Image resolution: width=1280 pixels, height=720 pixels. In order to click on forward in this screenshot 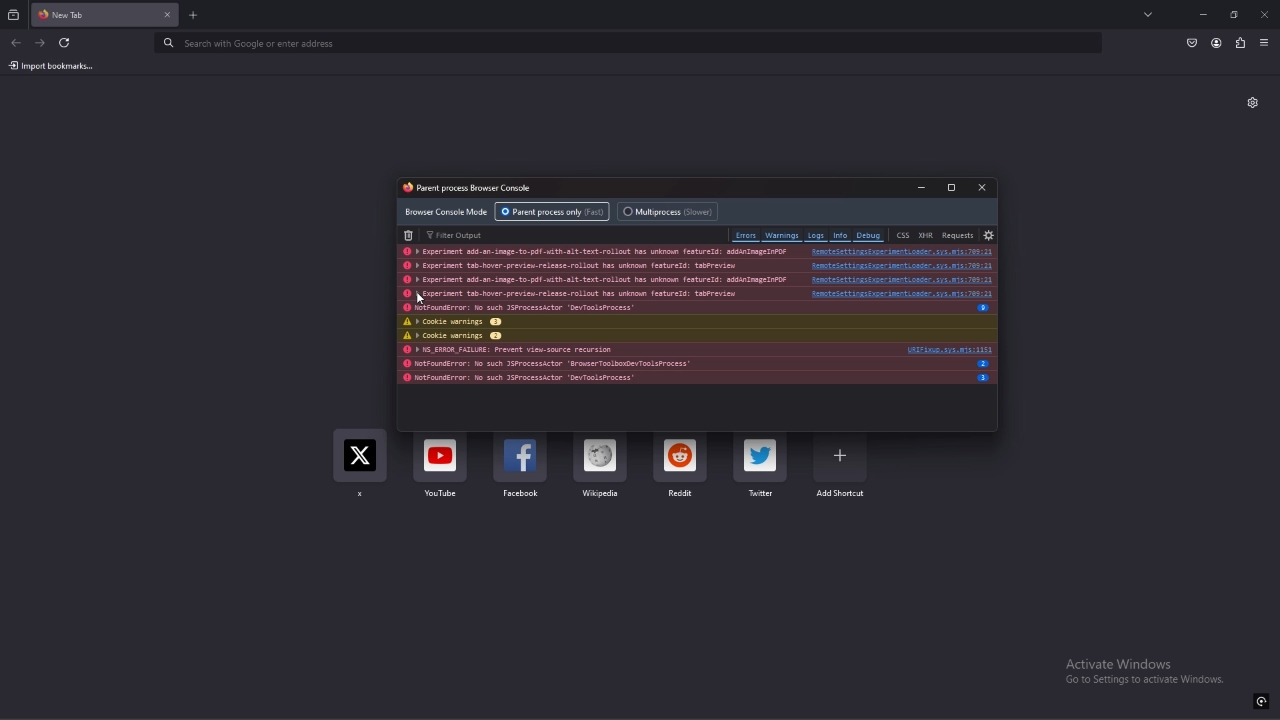, I will do `click(39, 44)`.